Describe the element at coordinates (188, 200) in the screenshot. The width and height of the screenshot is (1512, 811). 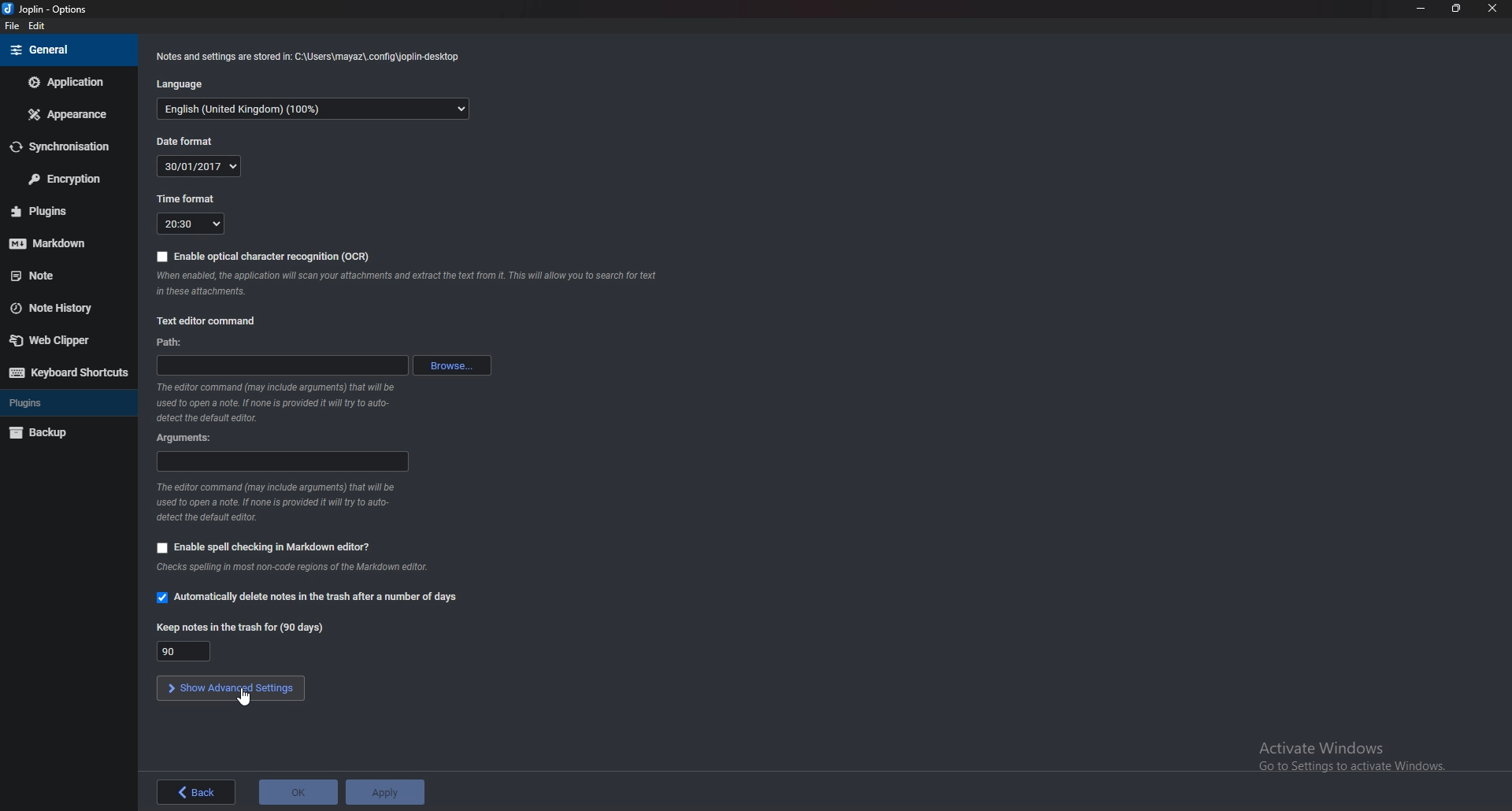
I see `time format` at that location.